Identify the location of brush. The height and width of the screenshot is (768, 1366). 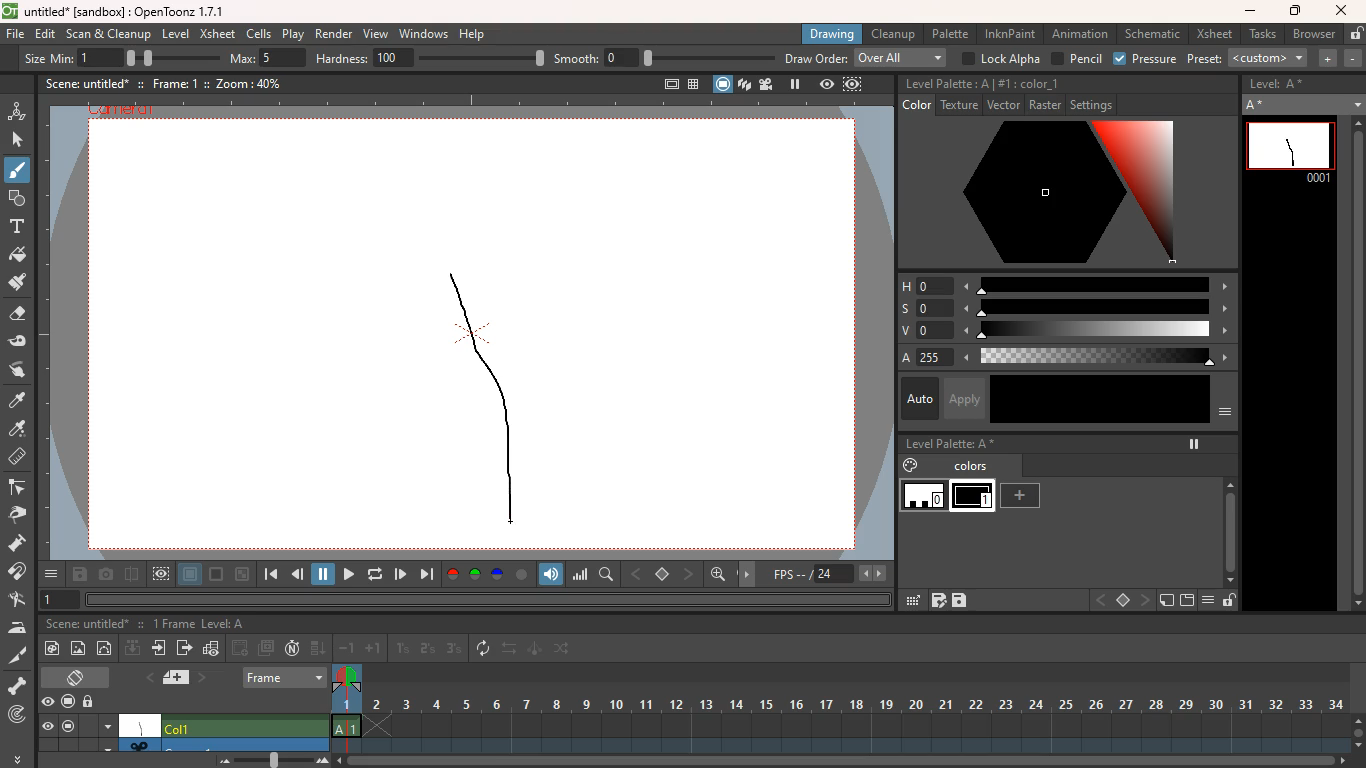
(16, 174).